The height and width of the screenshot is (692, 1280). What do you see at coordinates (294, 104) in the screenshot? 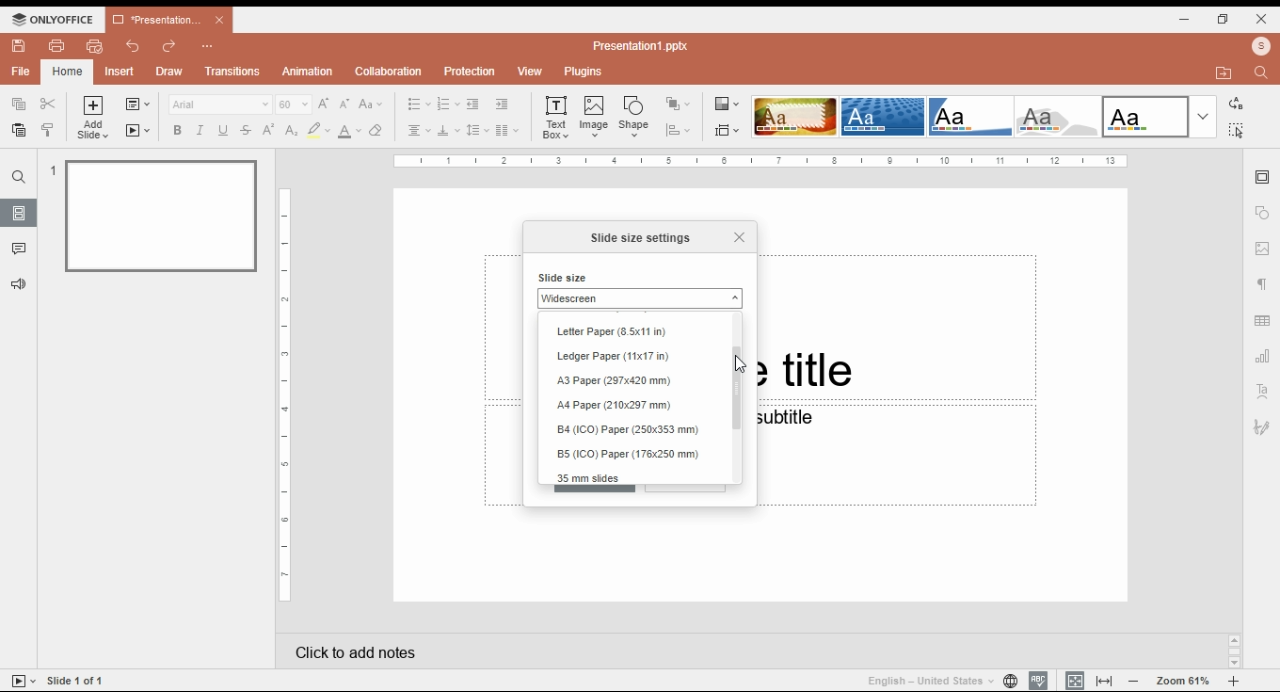
I see `60` at bounding box center [294, 104].